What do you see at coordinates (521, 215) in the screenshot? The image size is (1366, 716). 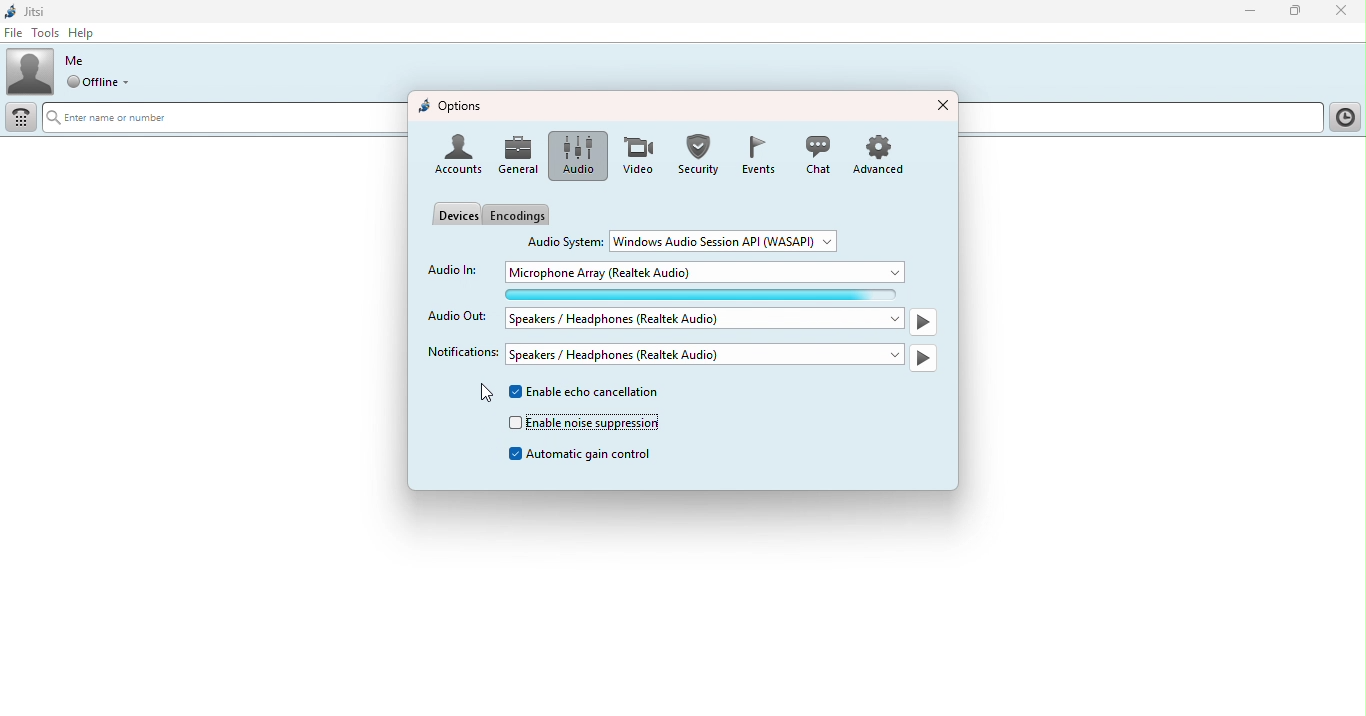 I see `Encodings` at bounding box center [521, 215].